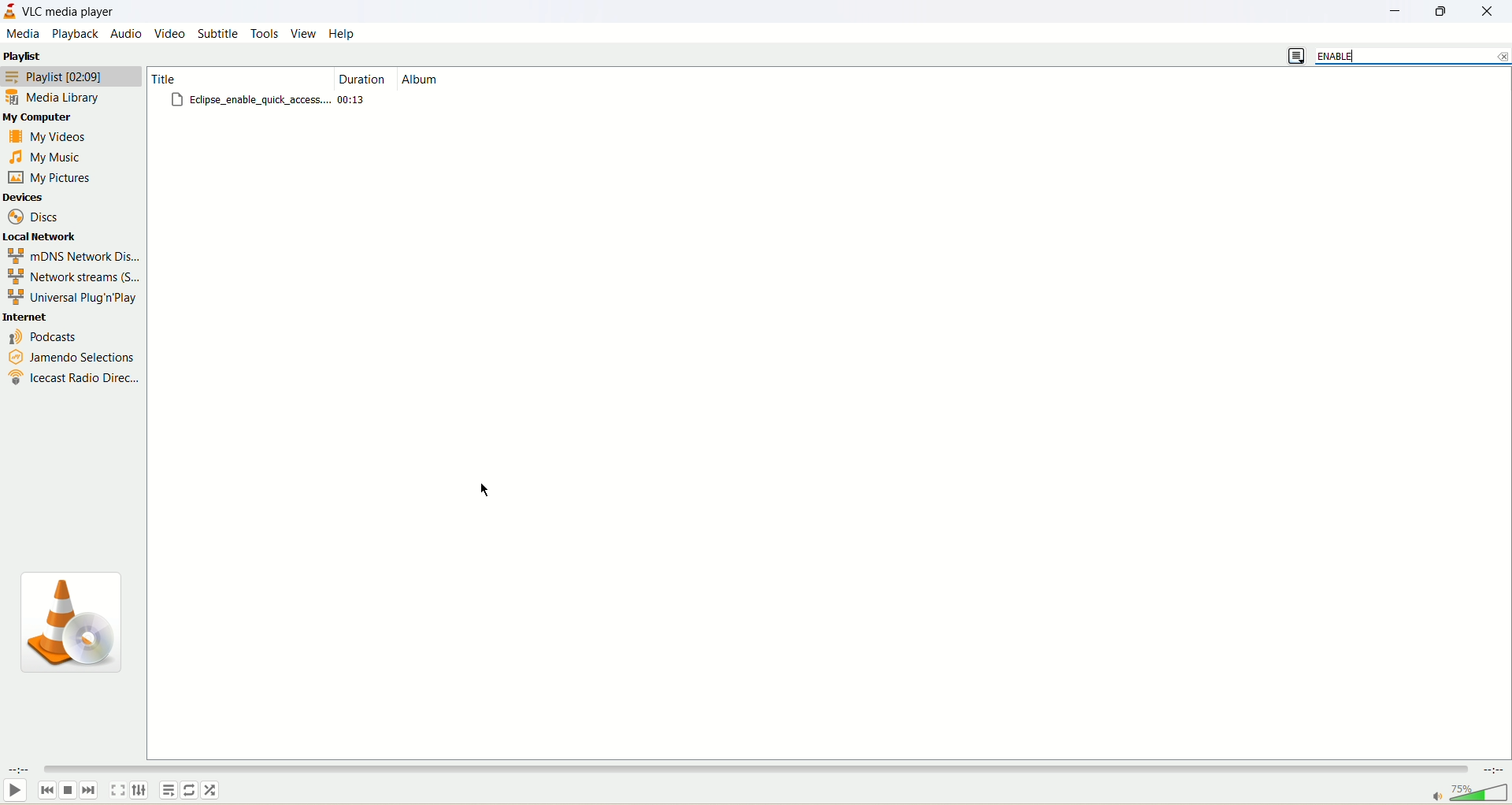 Image resolution: width=1512 pixels, height=805 pixels. I want to click on play, so click(18, 791).